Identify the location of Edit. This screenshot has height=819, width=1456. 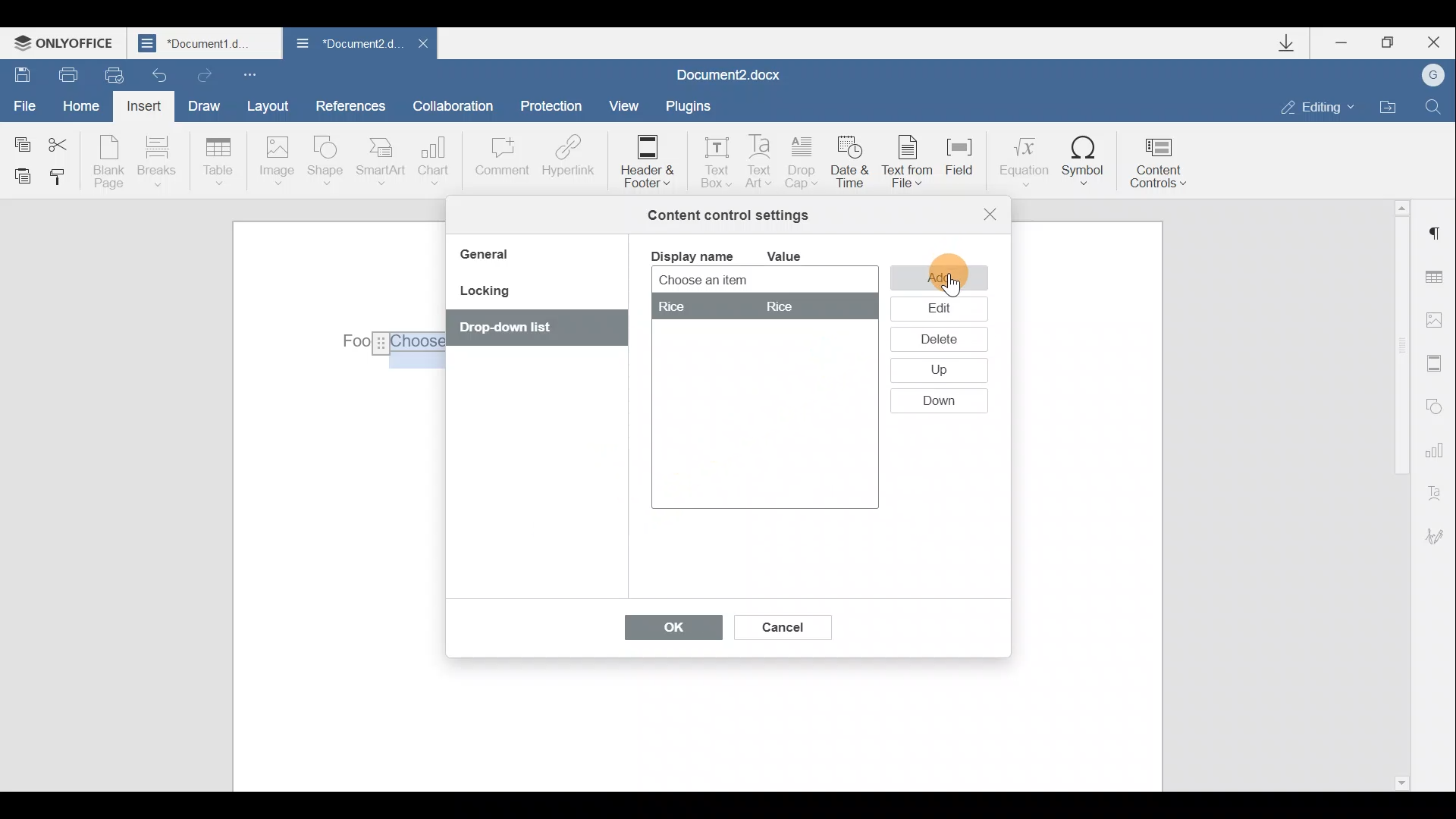
(938, 309).